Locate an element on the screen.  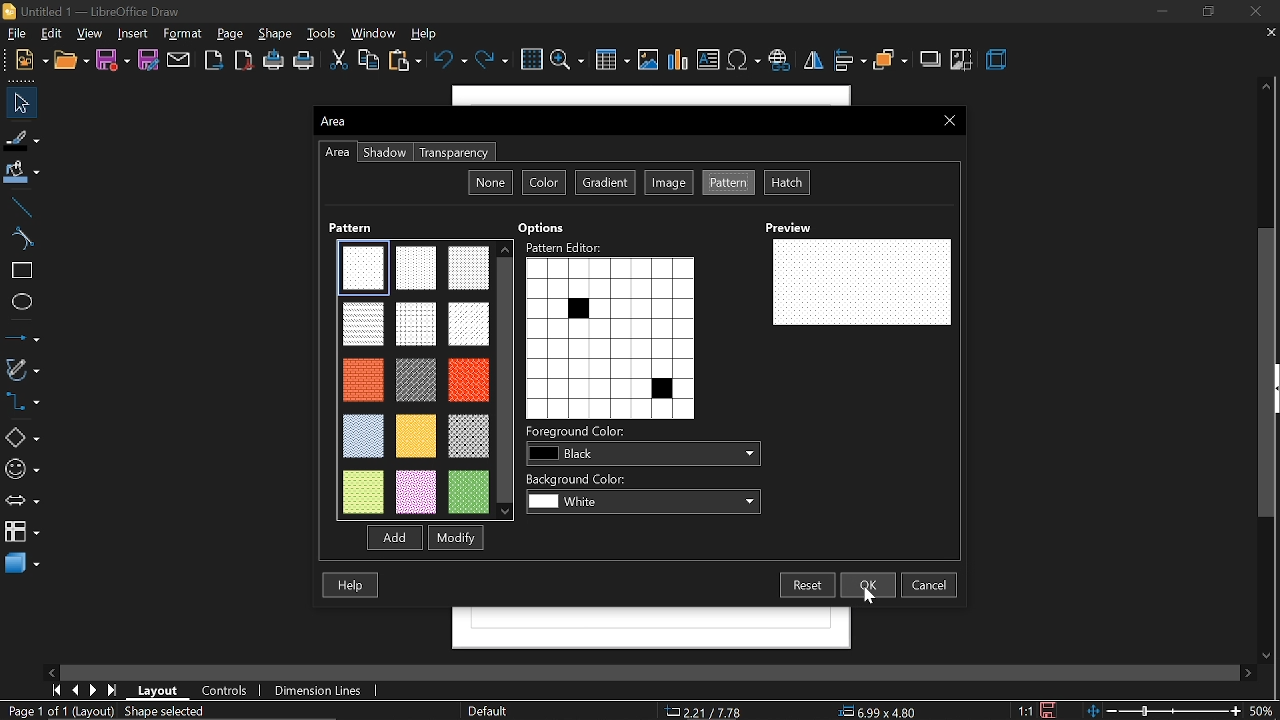
move up is located at coordinates (506, 248).